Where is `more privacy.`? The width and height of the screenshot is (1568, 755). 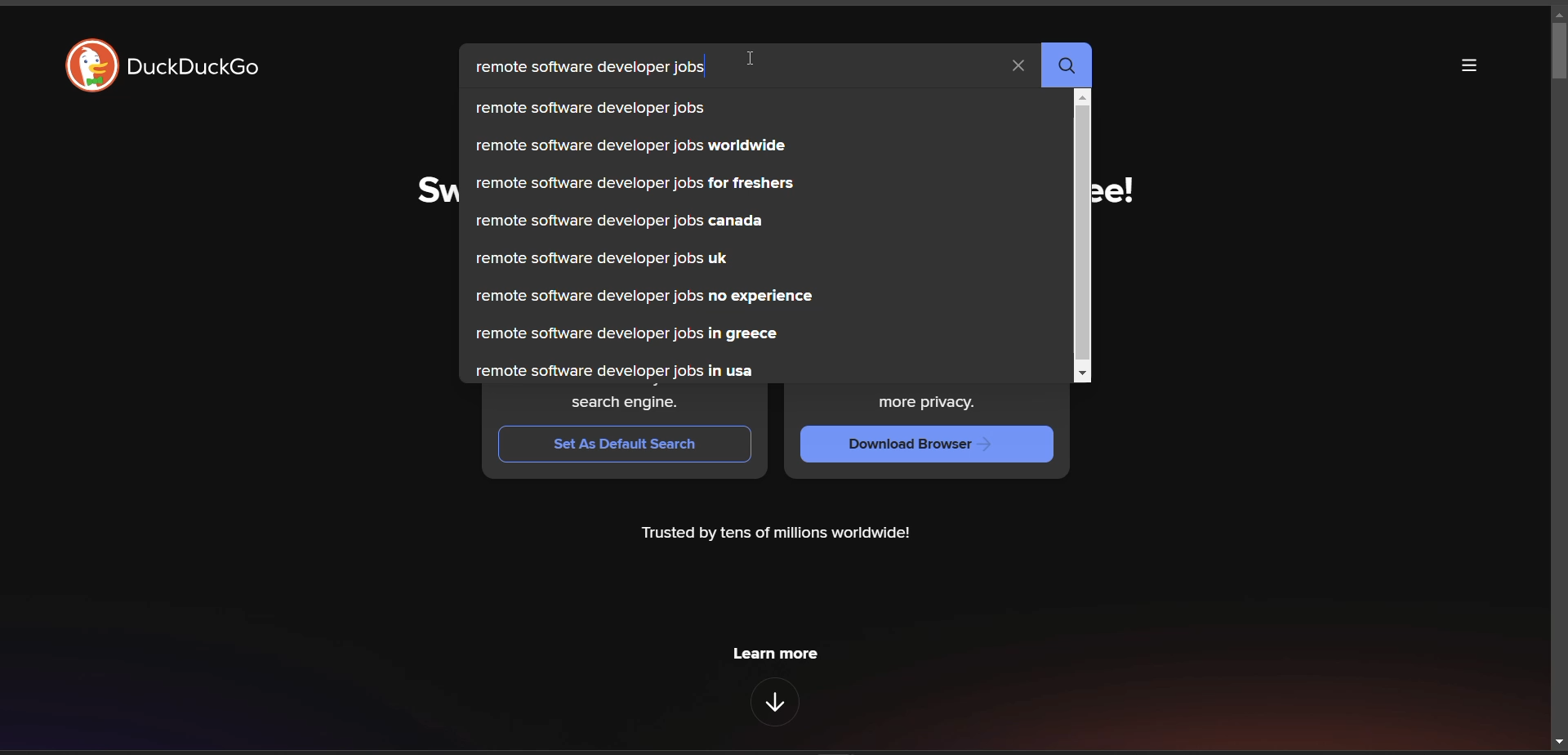
more privacy. is located at coordinates (938, 404).